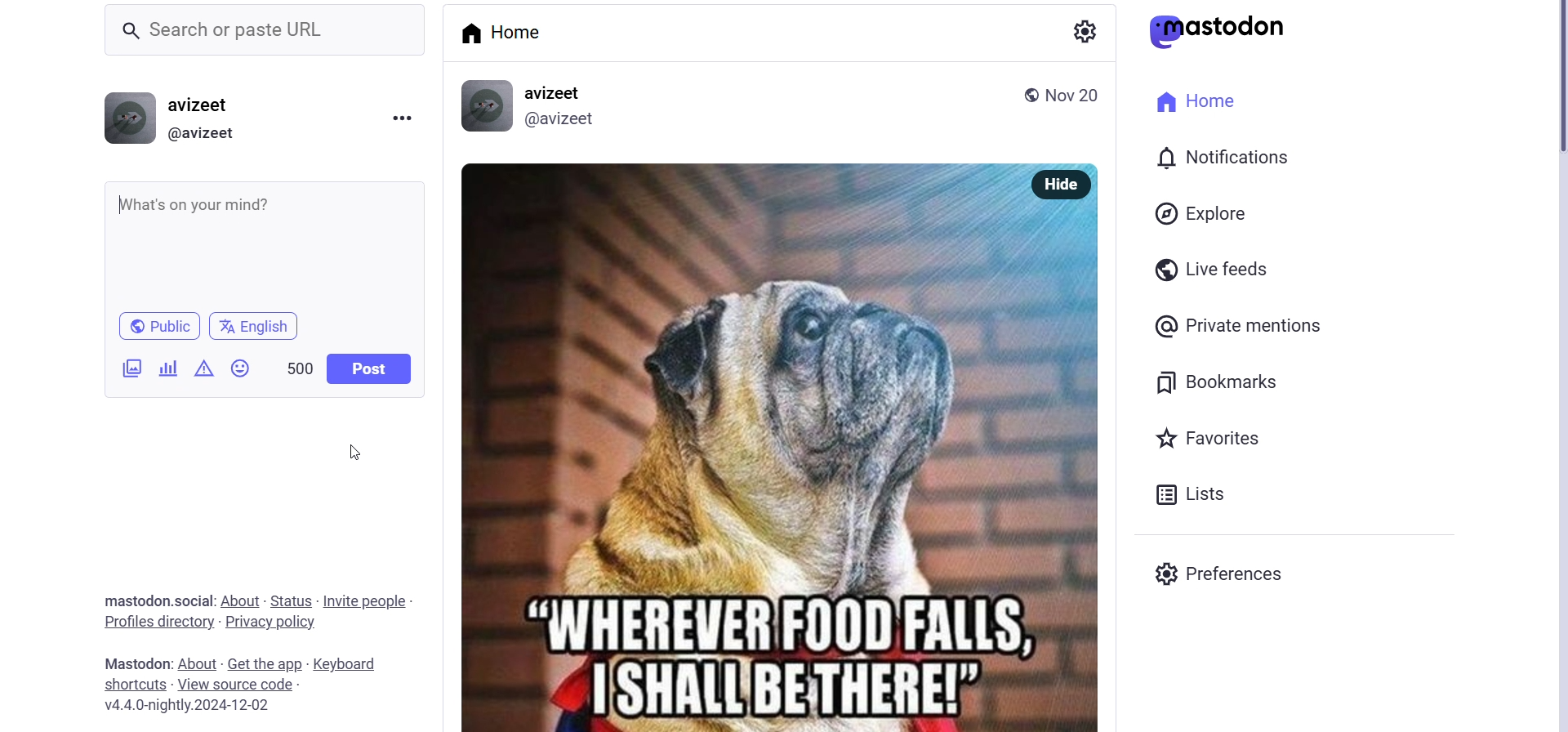 Image resolution: width=1568 pixels, height=732 pixels. I want to click on status, so click(292, 597).